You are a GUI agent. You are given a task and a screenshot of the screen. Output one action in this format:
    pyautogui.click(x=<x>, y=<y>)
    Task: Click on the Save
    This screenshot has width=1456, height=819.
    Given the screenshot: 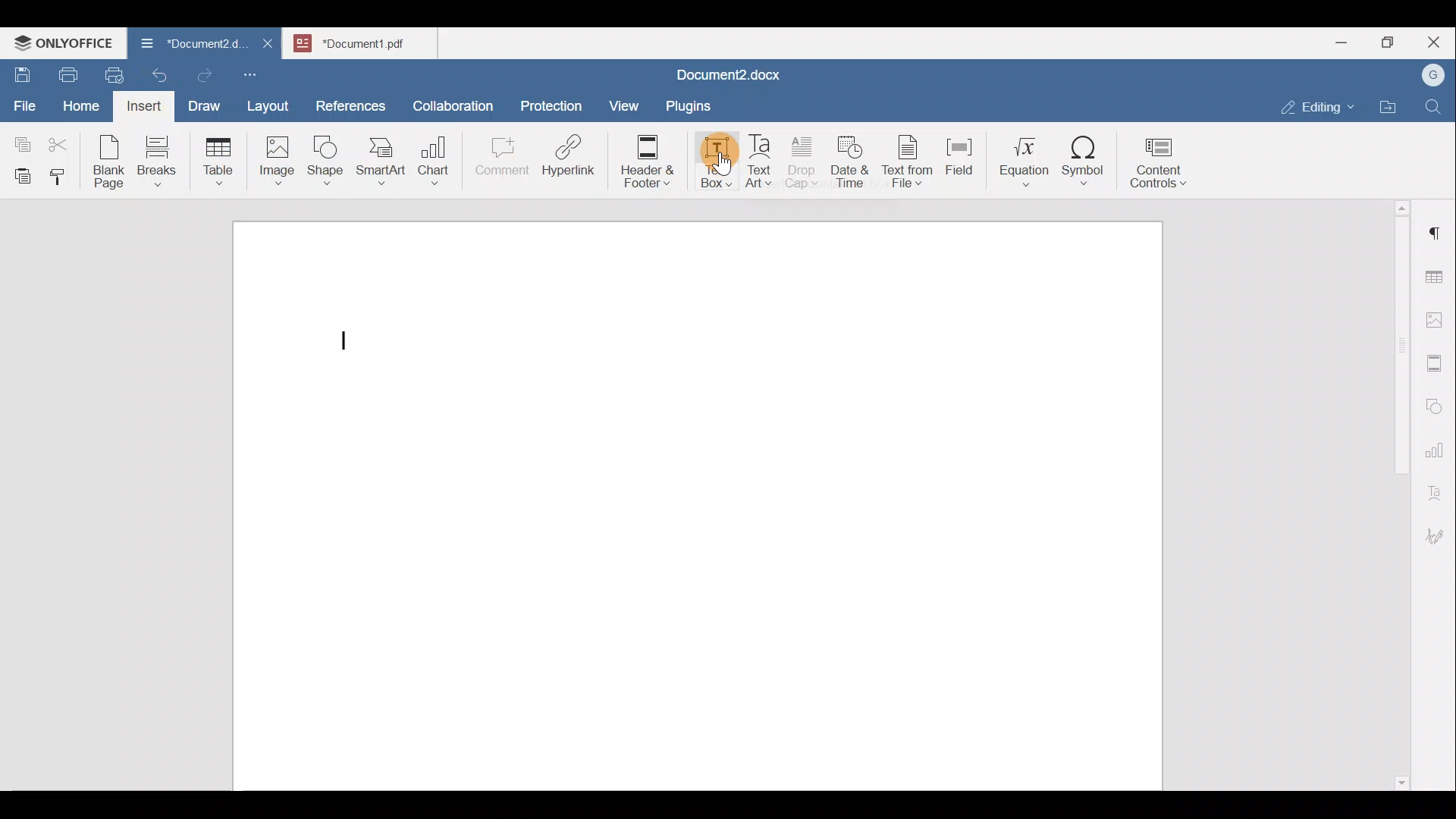 What is the action you would take?
    pyautogui.click(x=21, y=71)
    